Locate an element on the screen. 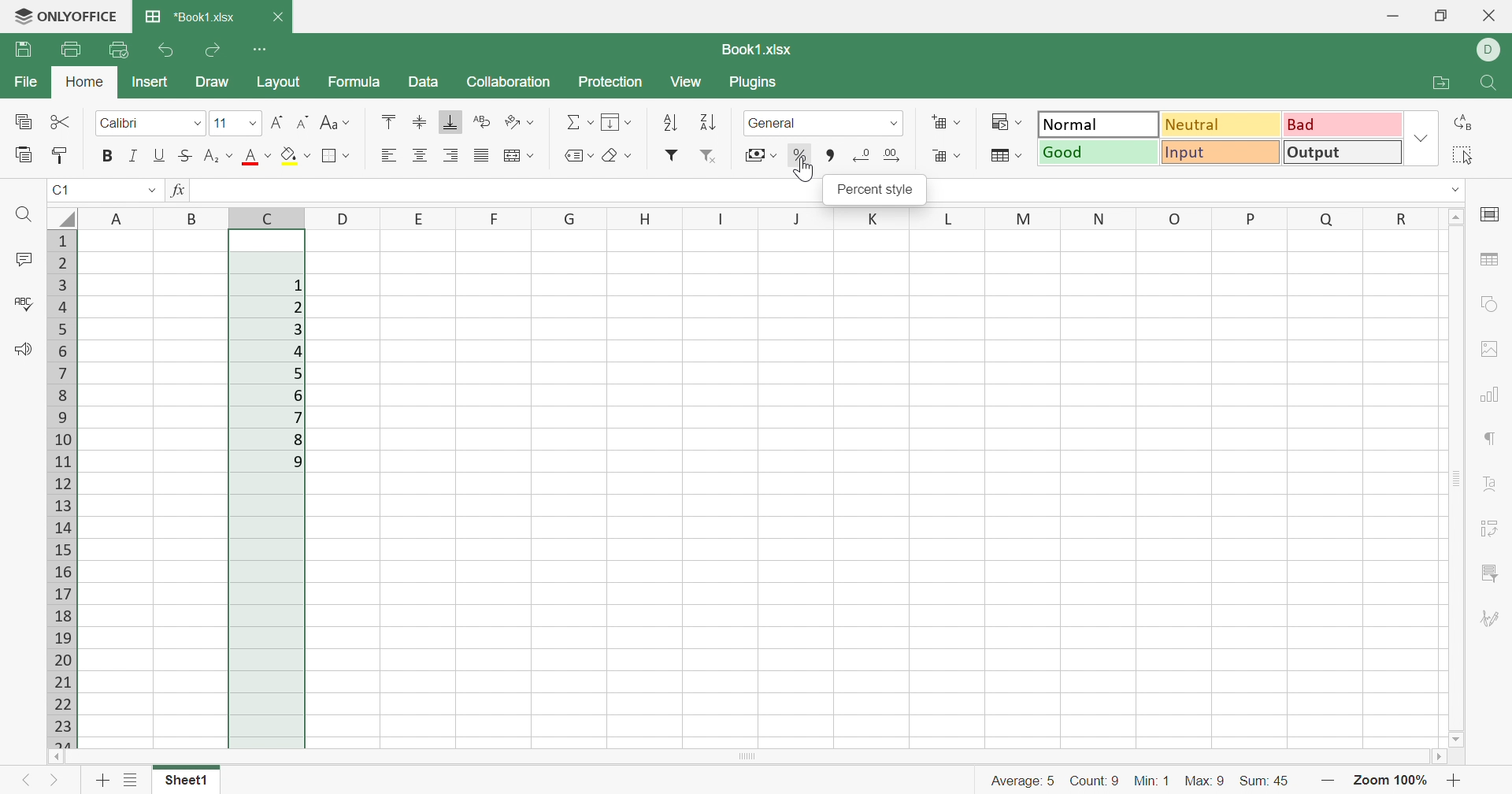 The width and height of the screenshot is (1512, 794). Restore Down is located at coordinates (1440, 17).